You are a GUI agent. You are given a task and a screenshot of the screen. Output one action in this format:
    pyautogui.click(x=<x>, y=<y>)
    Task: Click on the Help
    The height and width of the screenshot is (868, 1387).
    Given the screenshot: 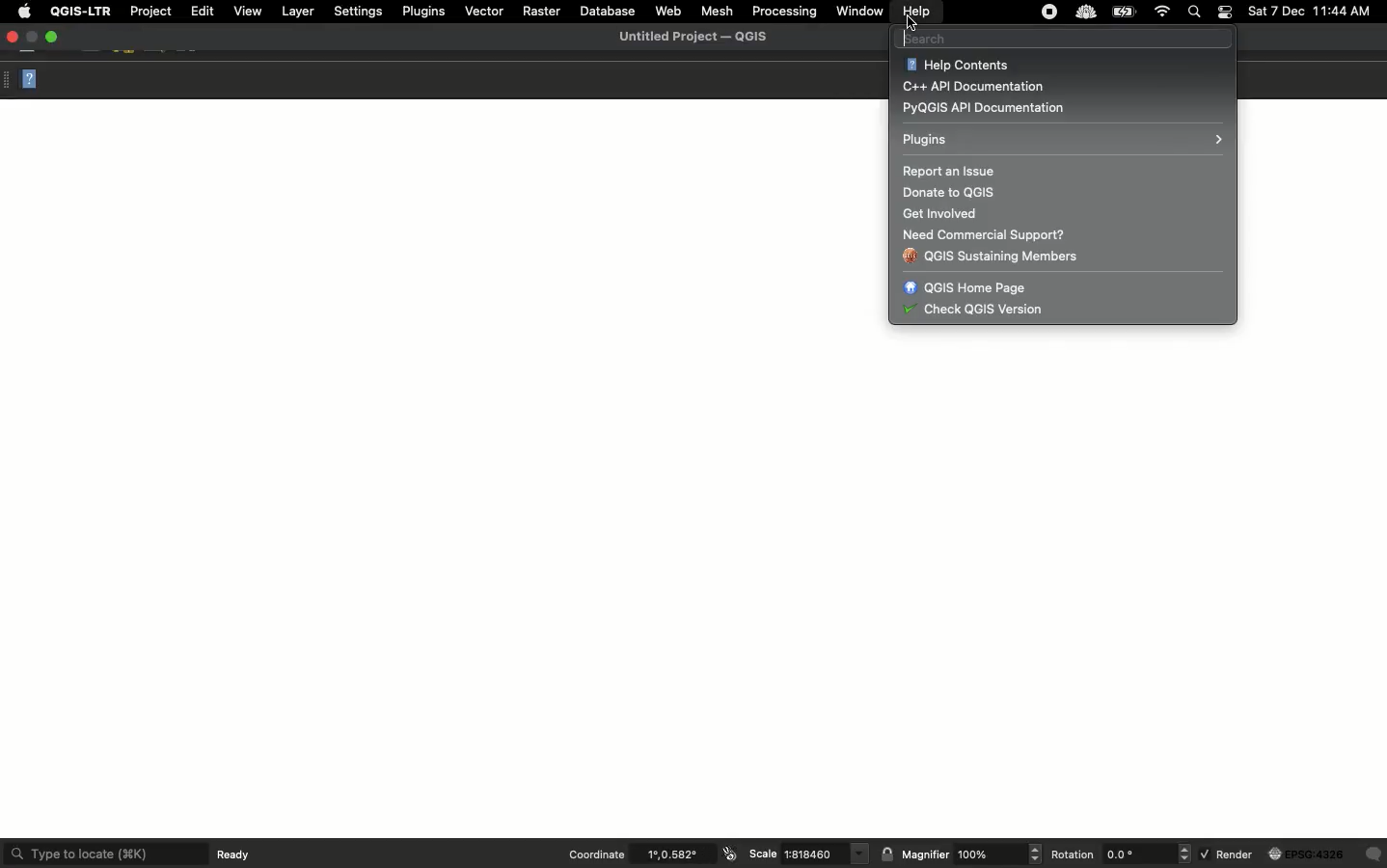 What is the action you would take?
    pyautogui.click(x=31, y=80)
    